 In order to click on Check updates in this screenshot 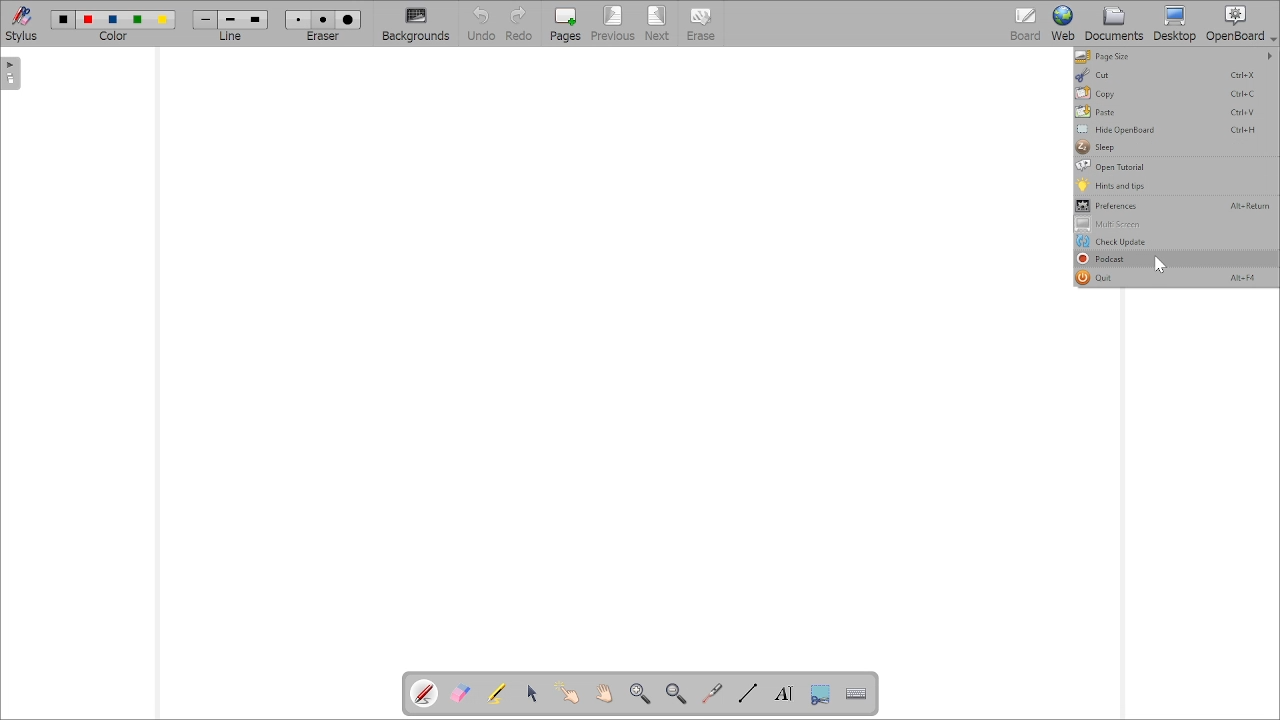, I will do `click(1175, 242)`.